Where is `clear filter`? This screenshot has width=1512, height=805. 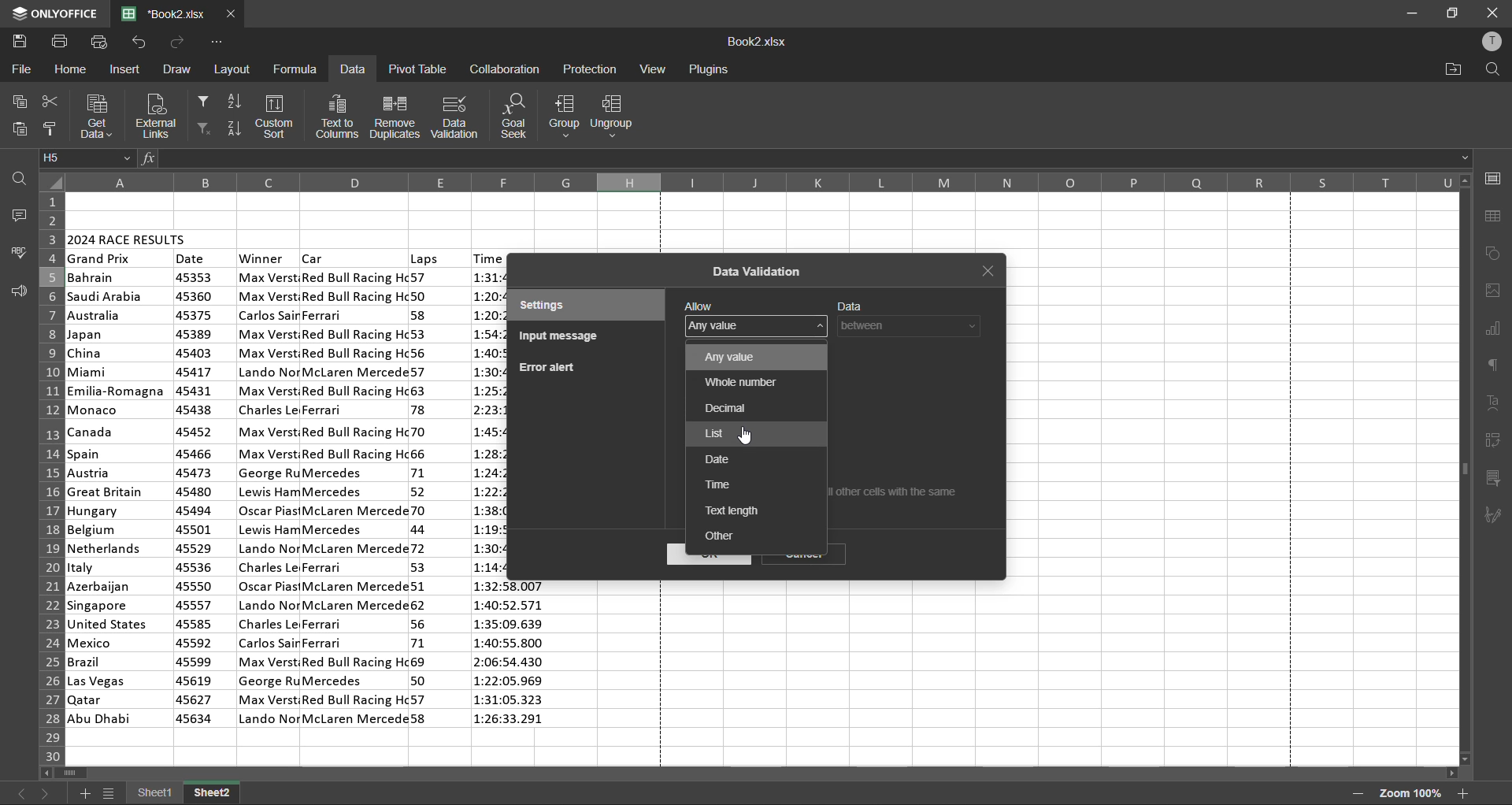
clear filter is located at coordinates (203, 129).